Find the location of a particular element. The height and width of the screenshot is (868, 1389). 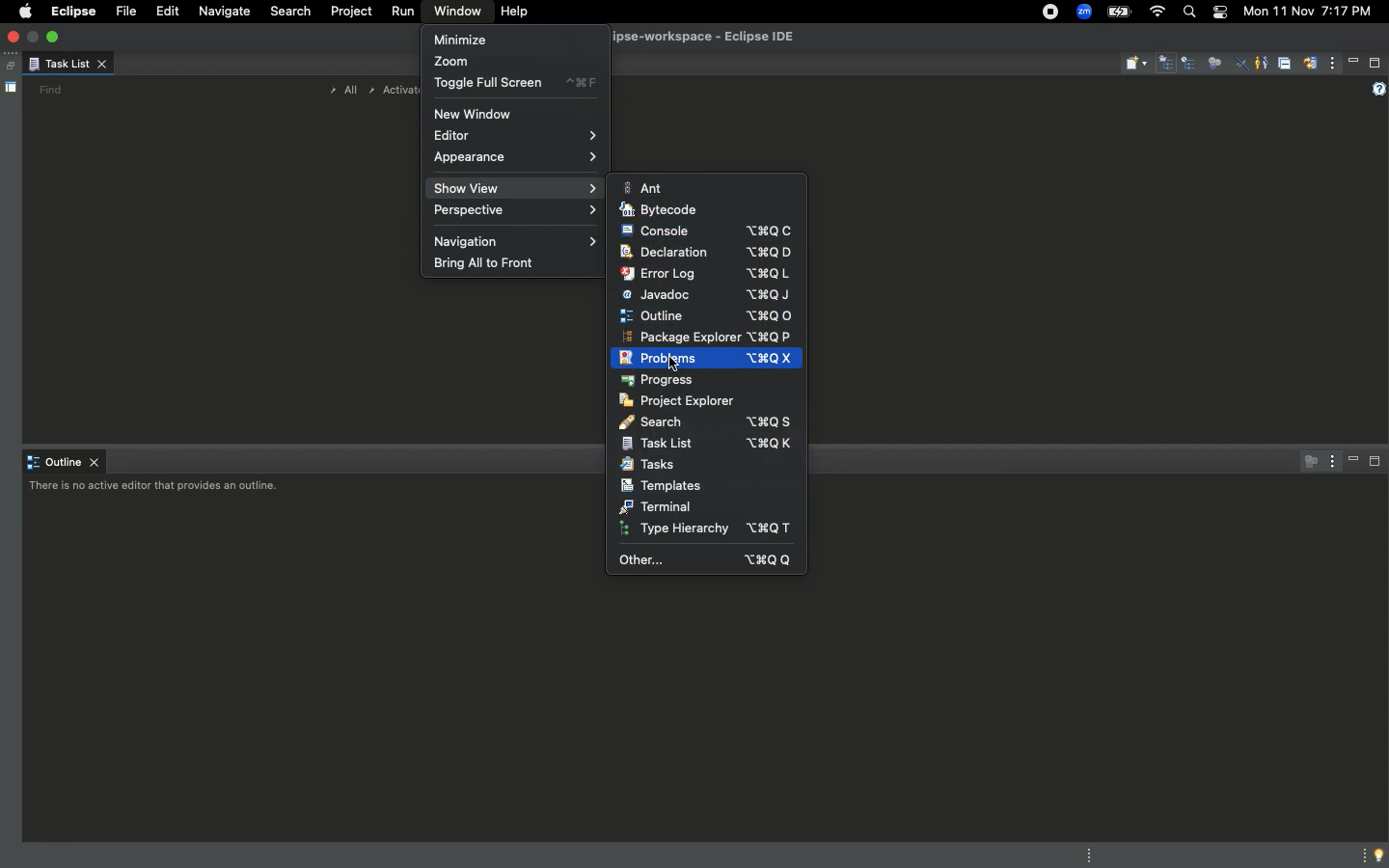

Bring all to front is located at coordinates (487, 263).